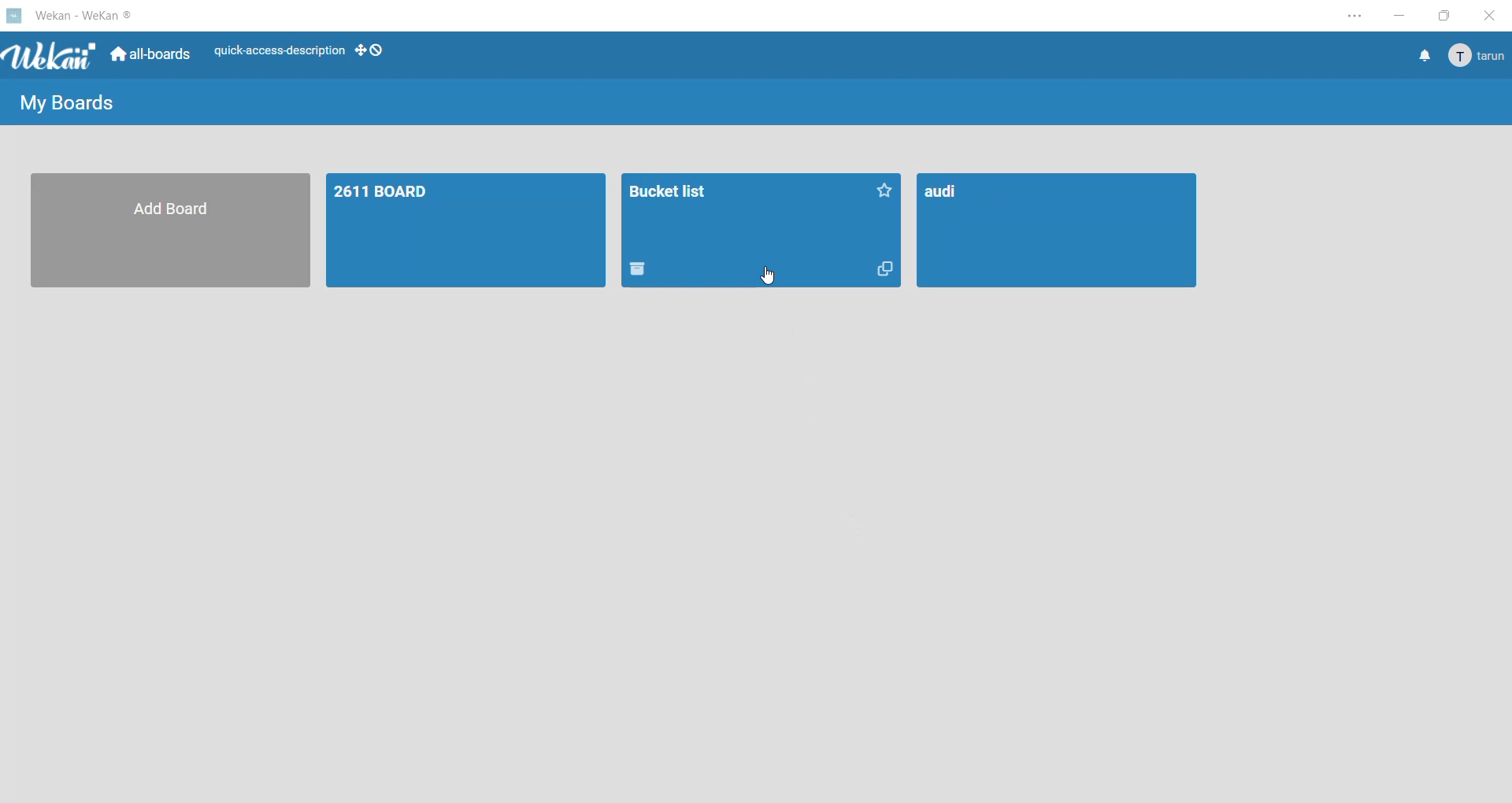 This screenshot has width=1512, height=803. What do you see at coordinates (73, 100) in the screenshot?
I see `My Boards` at bounding box center [73, 100].